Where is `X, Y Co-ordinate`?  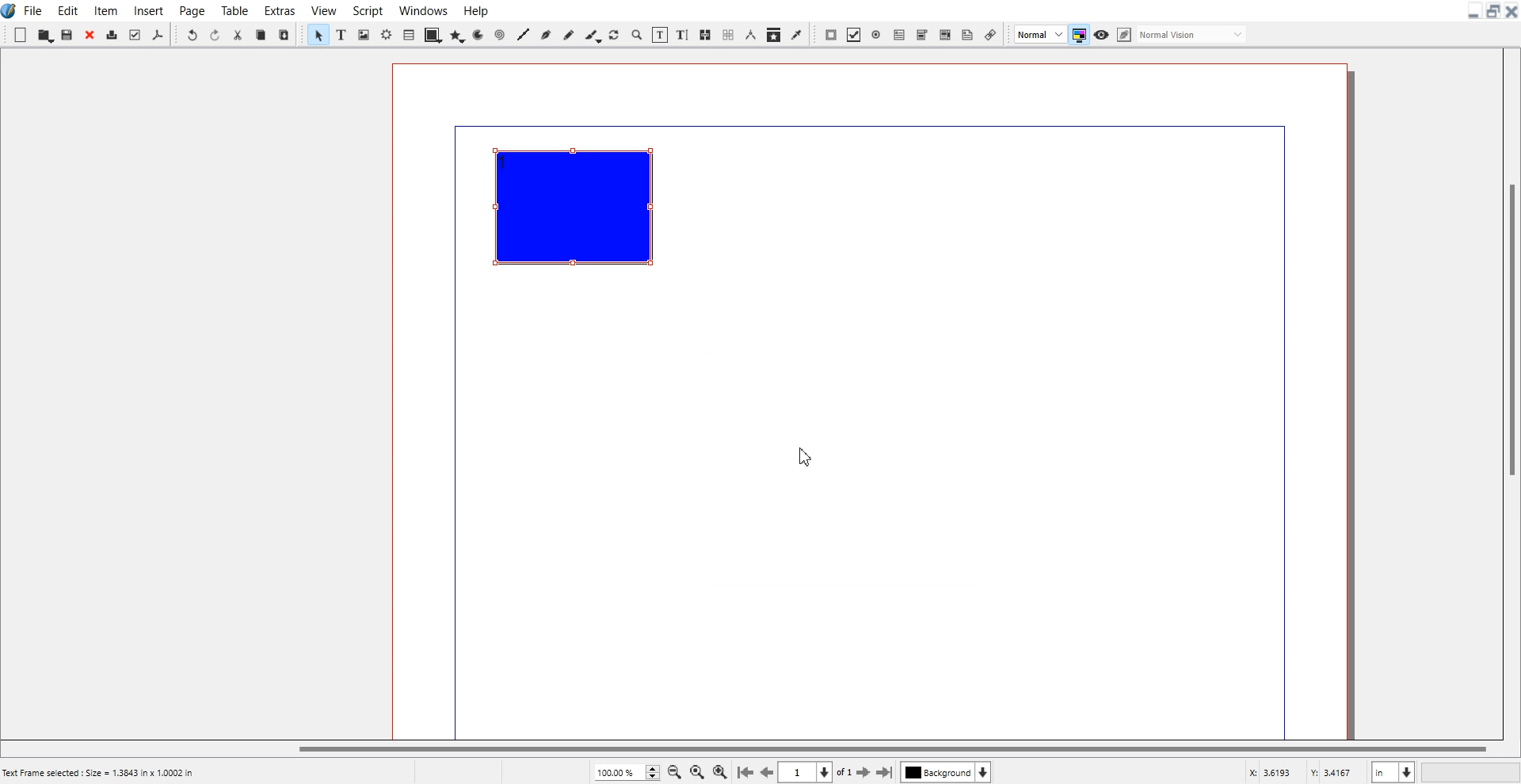 X, Y Co-ordinate is located at coordinates (1302, 772).